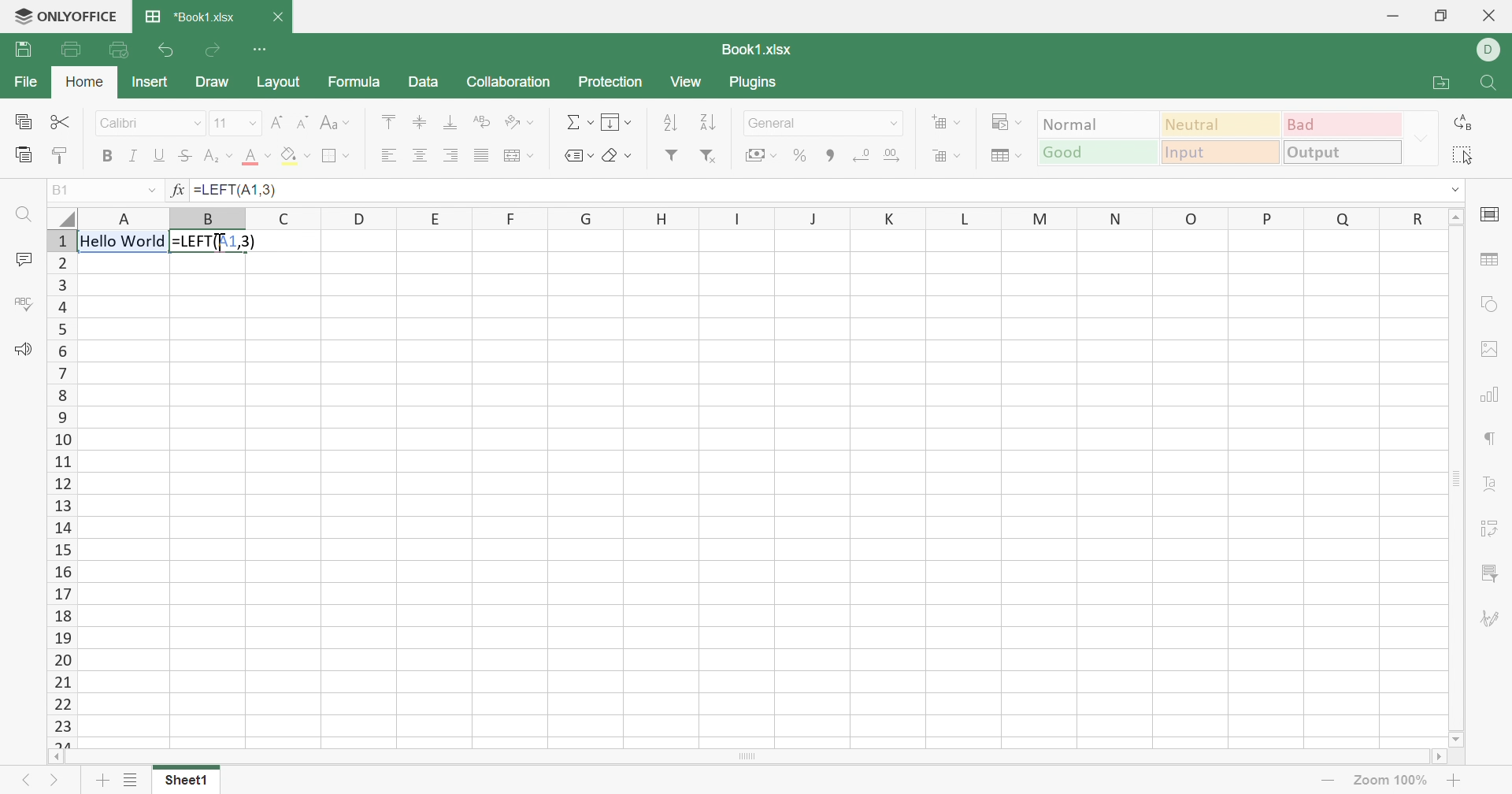 The width and height of the screenshot is (1512, 794). What do you see at coordinates (1220, 150) in the screenshot?
I see `Input` at bounding box center [1220, 150].